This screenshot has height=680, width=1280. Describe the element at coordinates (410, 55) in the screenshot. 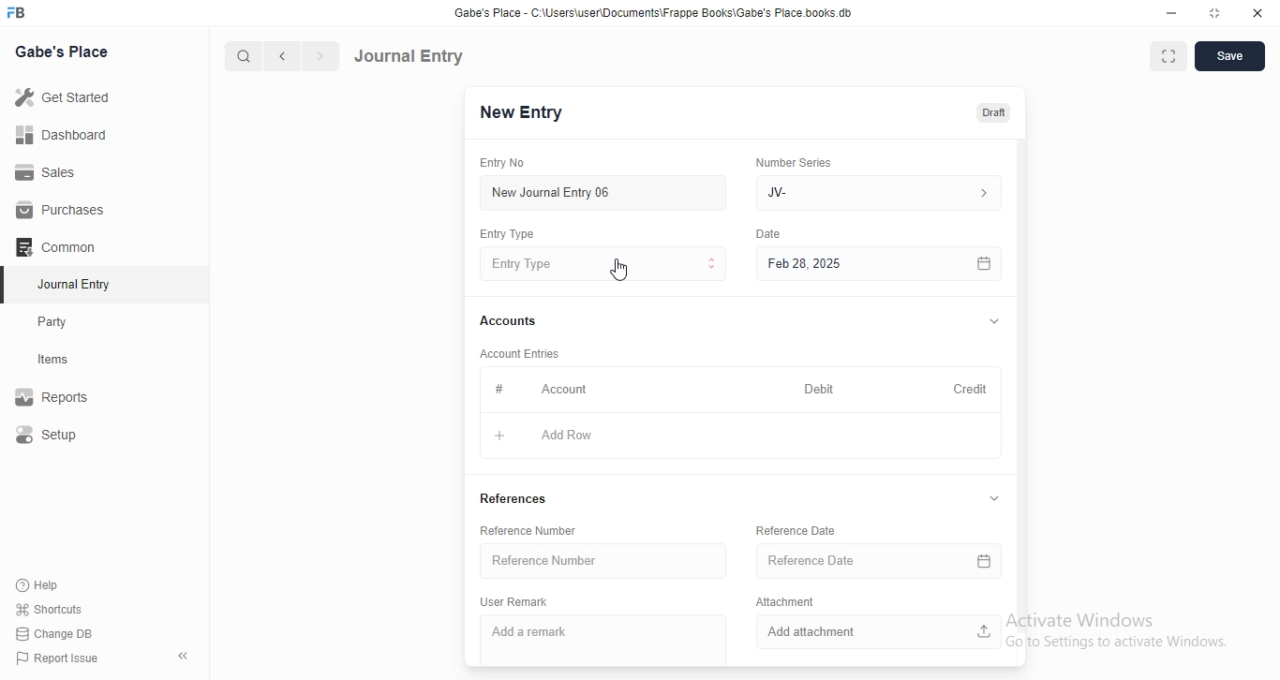

I see `Journal Entry` at that location.